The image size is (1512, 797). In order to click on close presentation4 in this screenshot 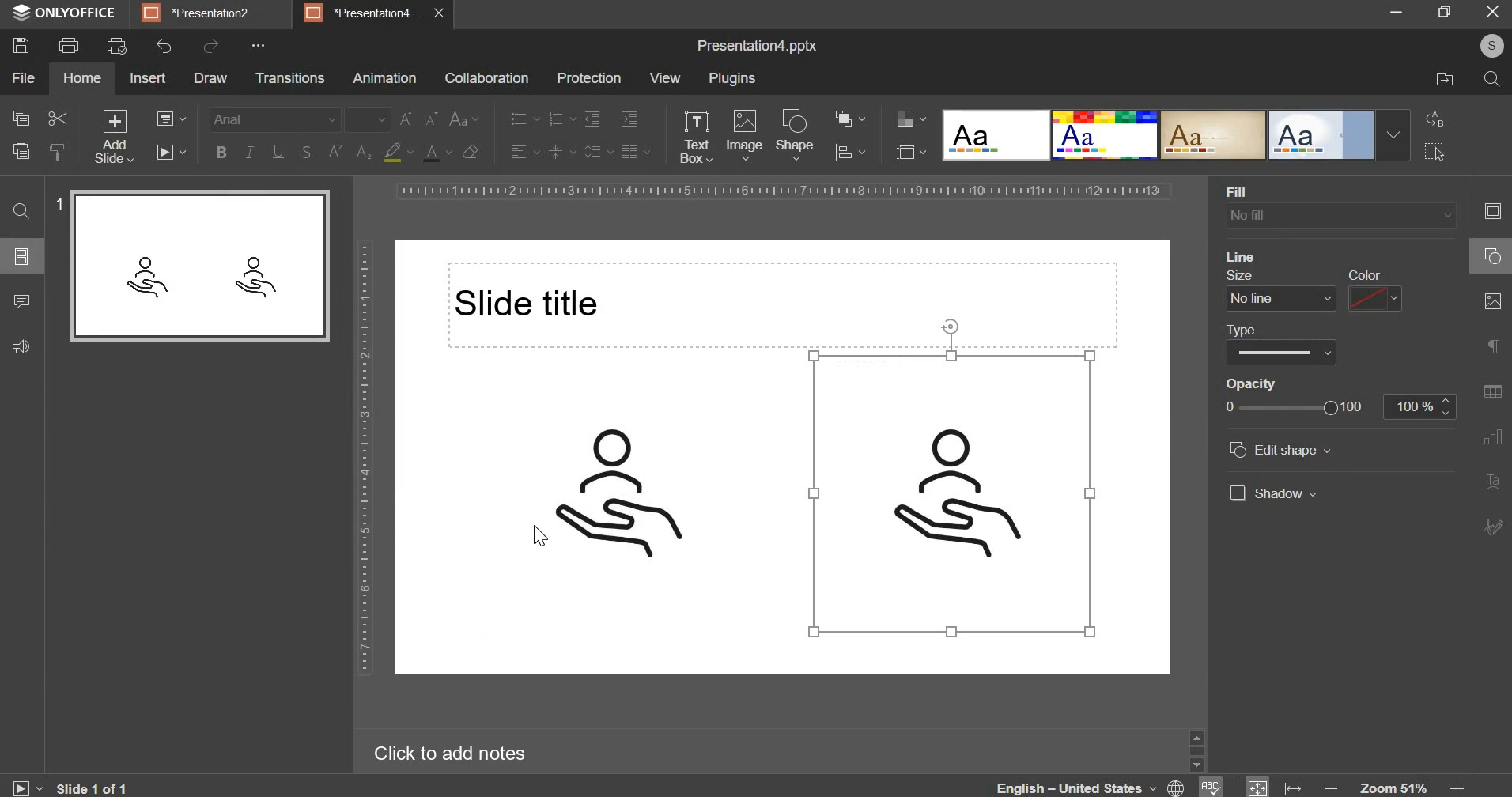, I will do `click(442, 18)`.